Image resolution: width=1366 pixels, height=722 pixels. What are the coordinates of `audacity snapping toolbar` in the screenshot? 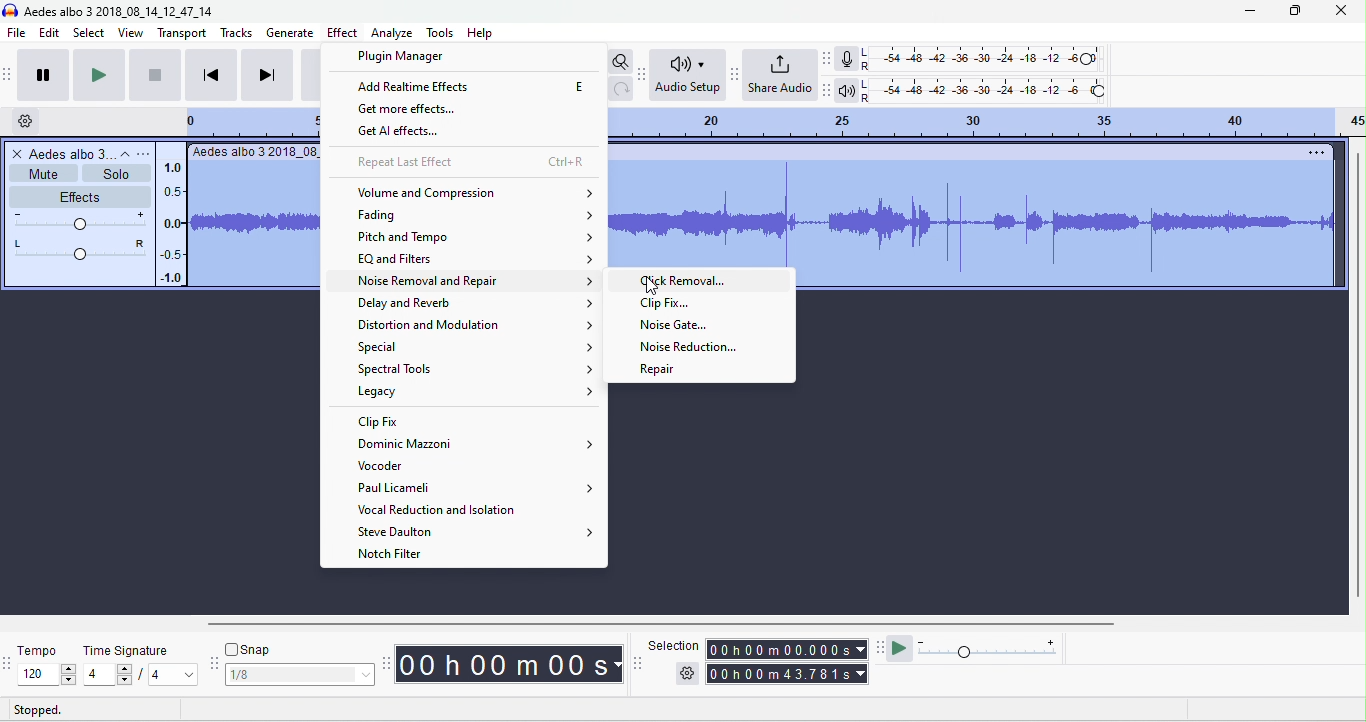 It's located at (215, 663).